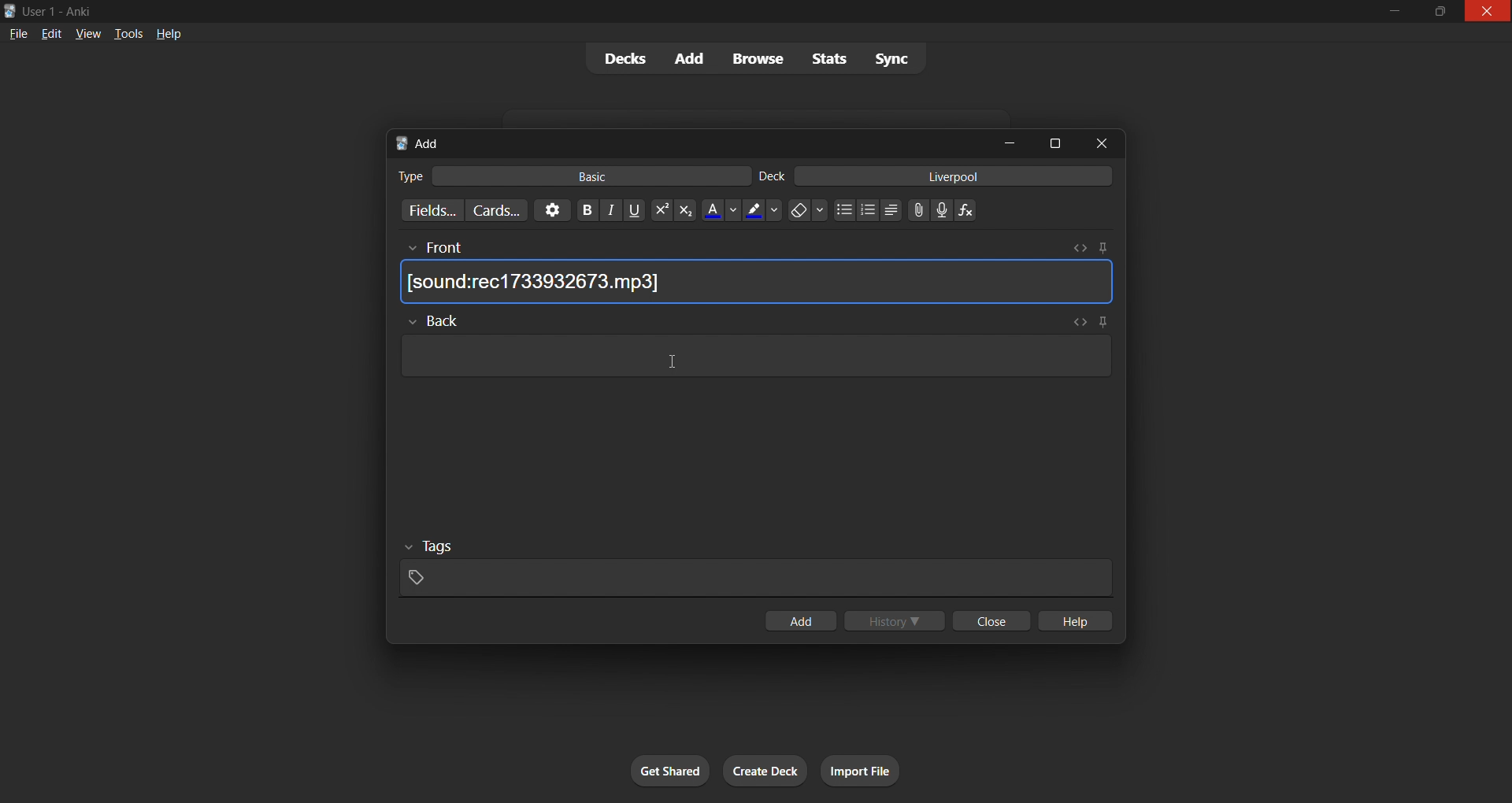  What do you see at coordinates (769, 768) in the screenshot?
I see `create deck` at bounding box center [769, 768].